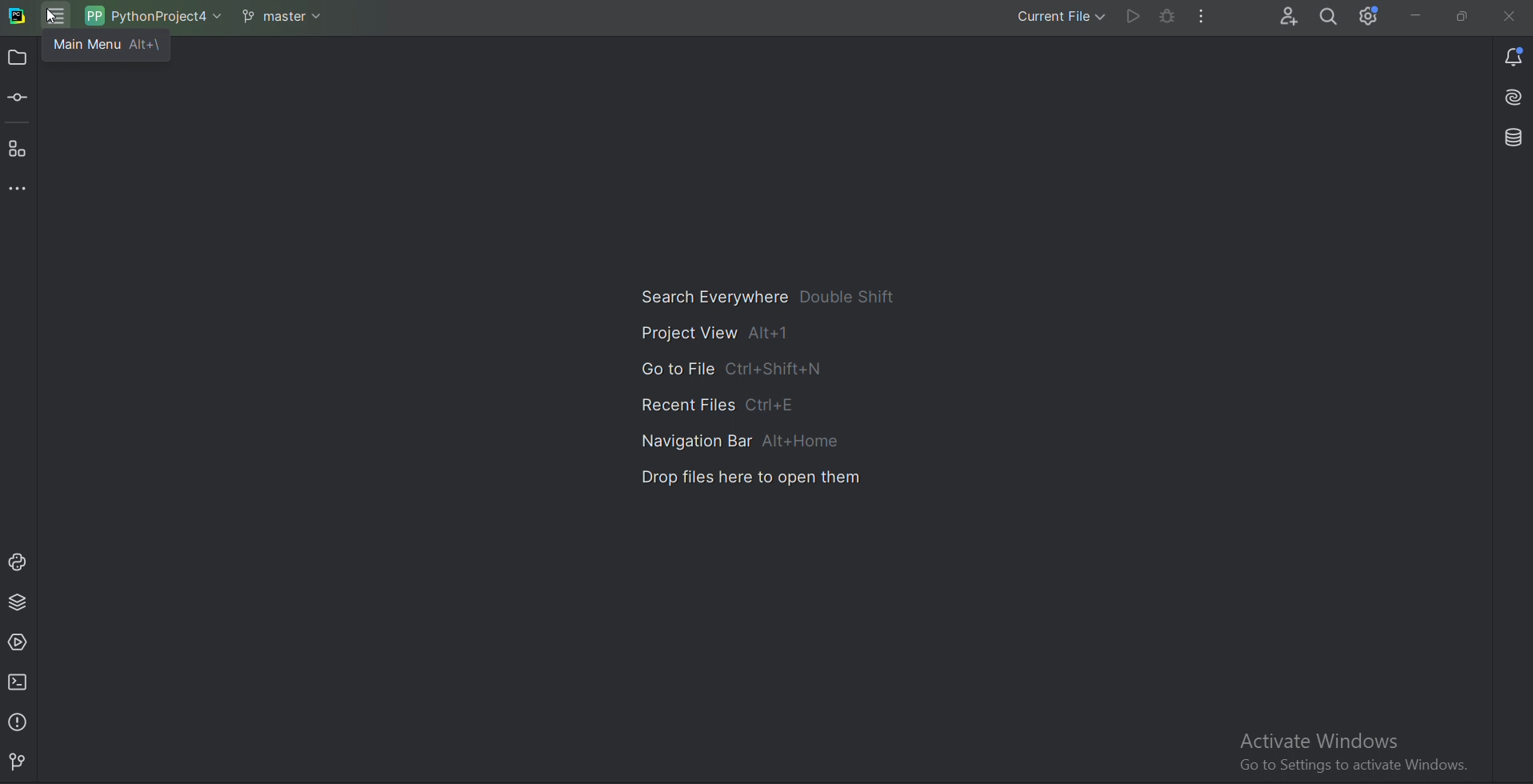 The image size is (1533, 784). Describe the element at coordinates (1331, 18) in the screenshot. I see `Search everywhere` at that location.